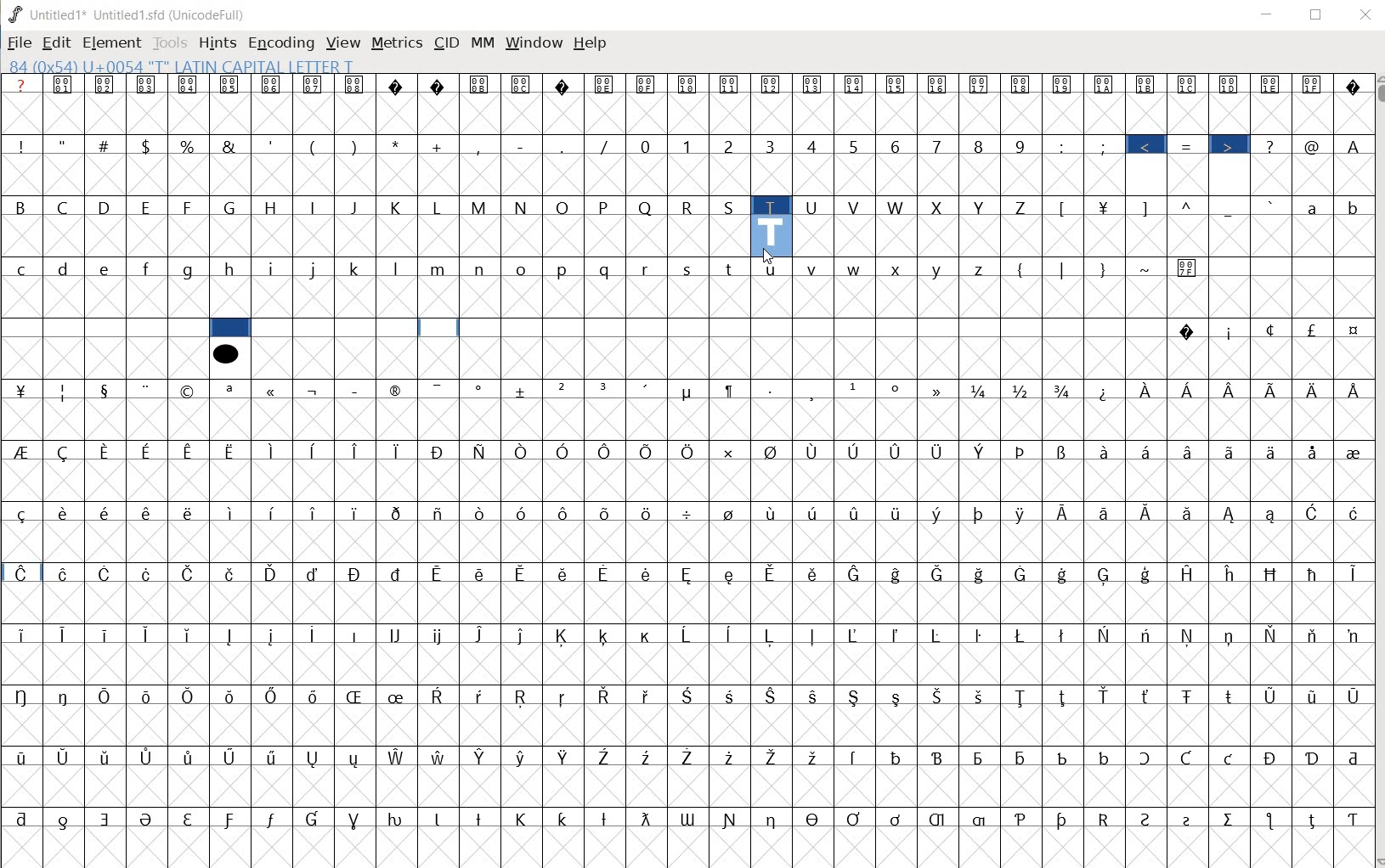  Describe the element at coordinates (1314, 819) in the screenshot. I see `Symbol` at that location.